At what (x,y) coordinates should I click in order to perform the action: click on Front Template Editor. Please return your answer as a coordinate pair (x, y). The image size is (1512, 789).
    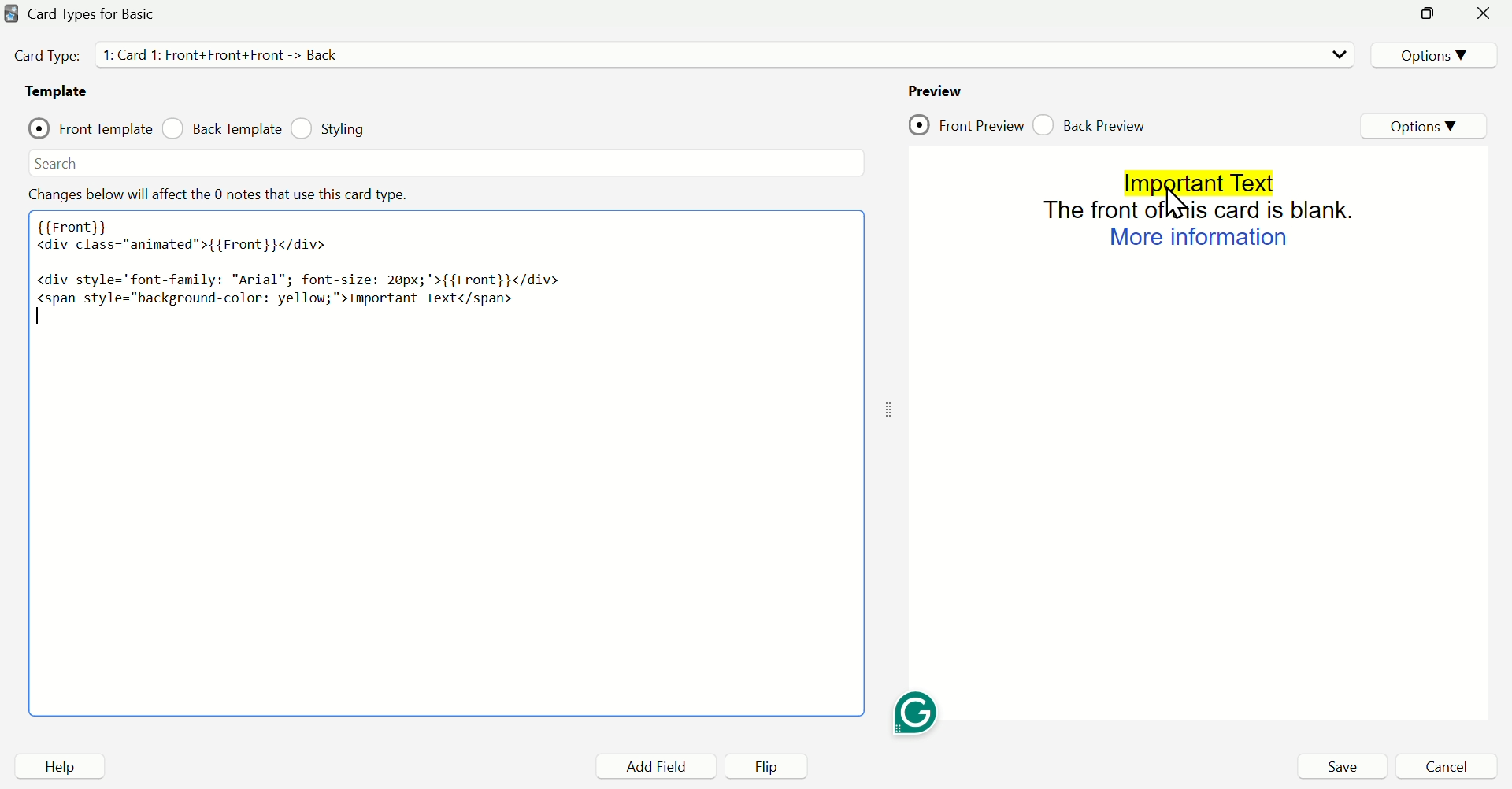
    Looking at the image, I should click on (447, 462).